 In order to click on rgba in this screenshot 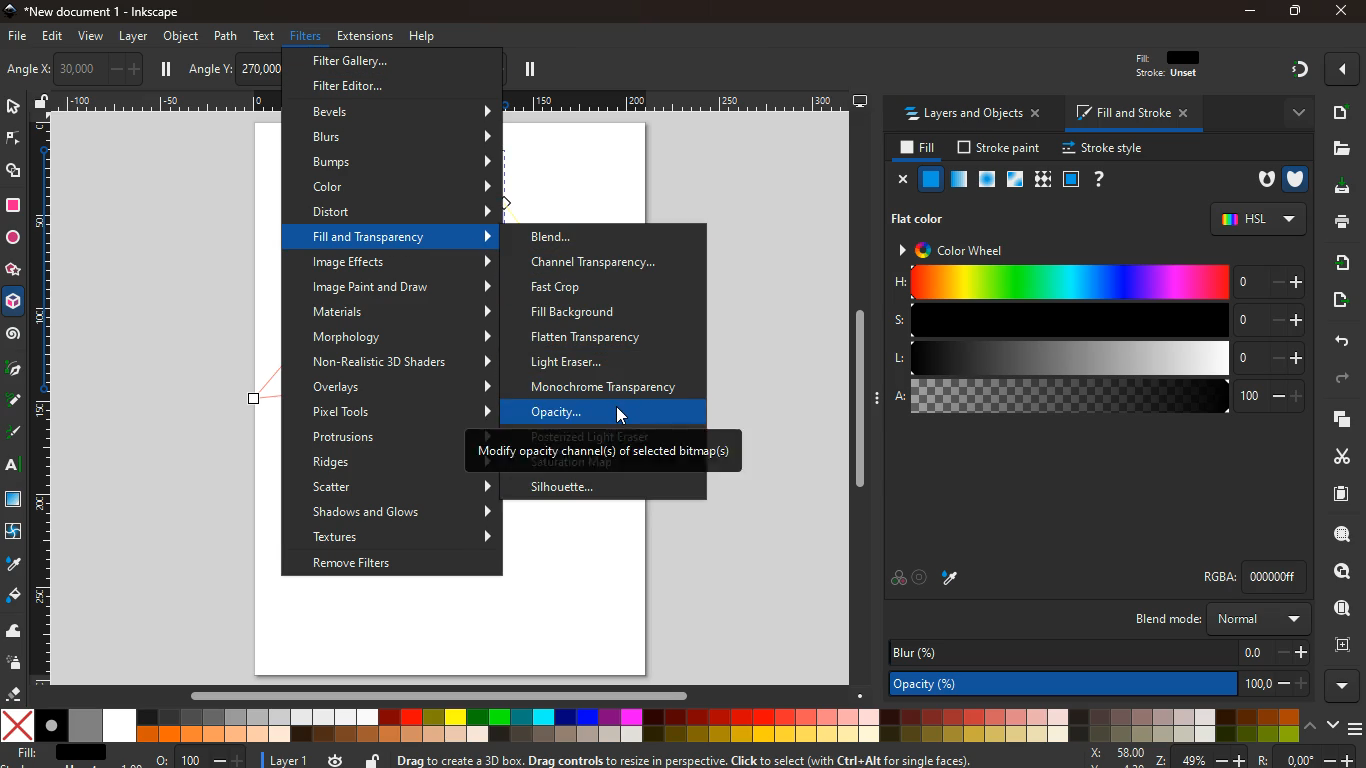, I will do `click(1235, 576)`.